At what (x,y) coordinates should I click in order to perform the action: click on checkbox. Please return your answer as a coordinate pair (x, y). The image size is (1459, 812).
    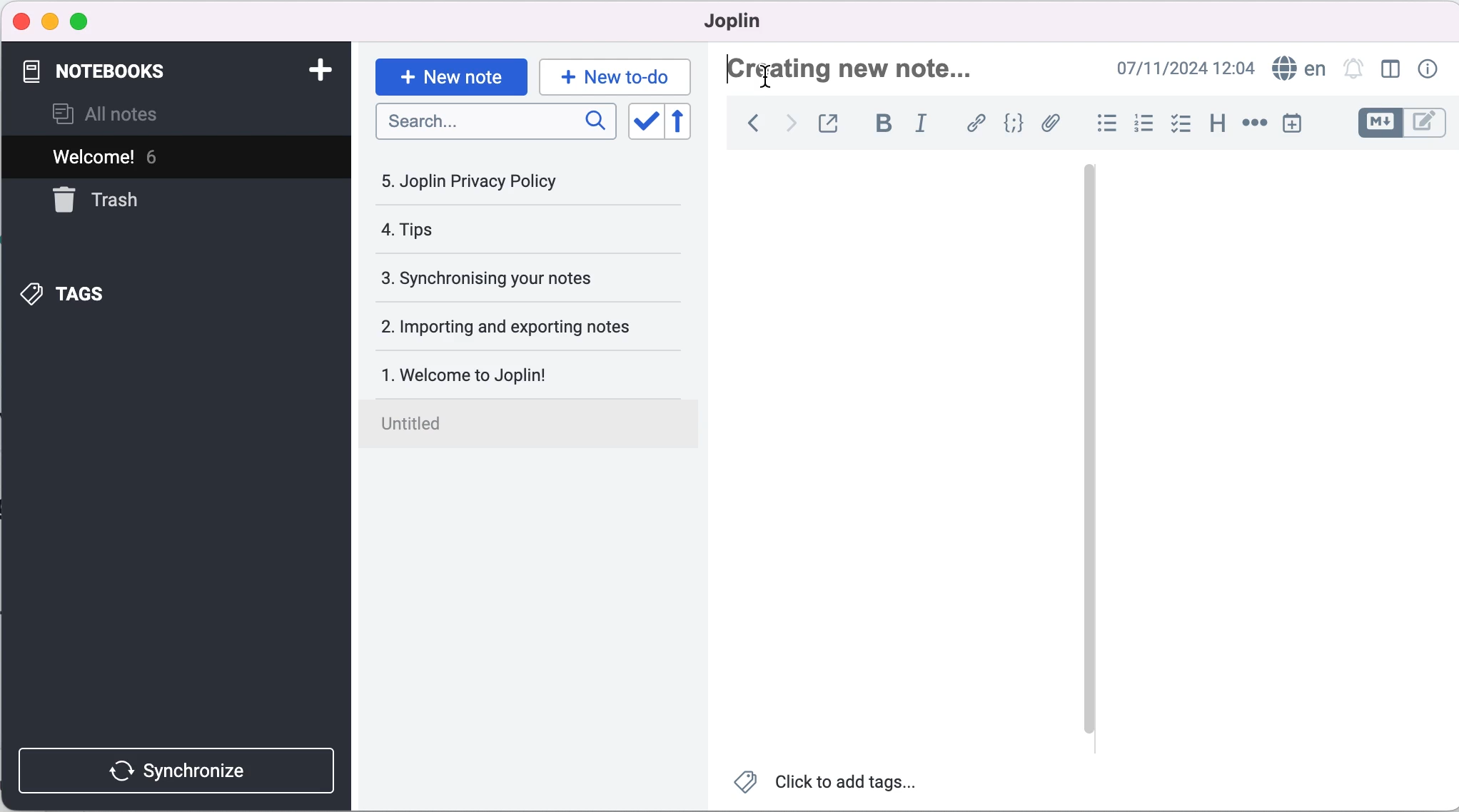
    Looking at the image, I should click on (1183, 126).